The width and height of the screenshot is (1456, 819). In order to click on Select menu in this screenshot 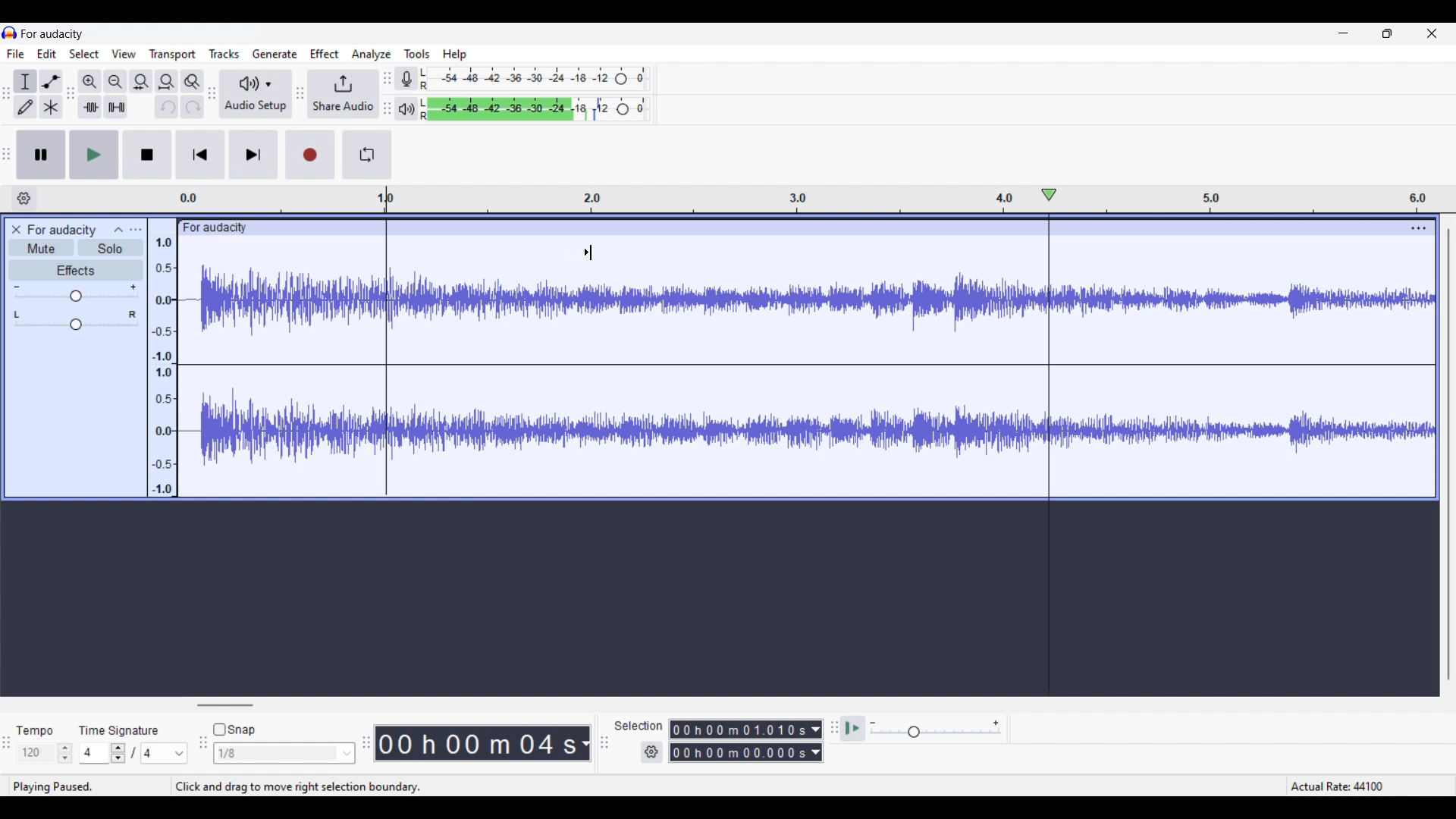, I will do `click(84, 54)`.